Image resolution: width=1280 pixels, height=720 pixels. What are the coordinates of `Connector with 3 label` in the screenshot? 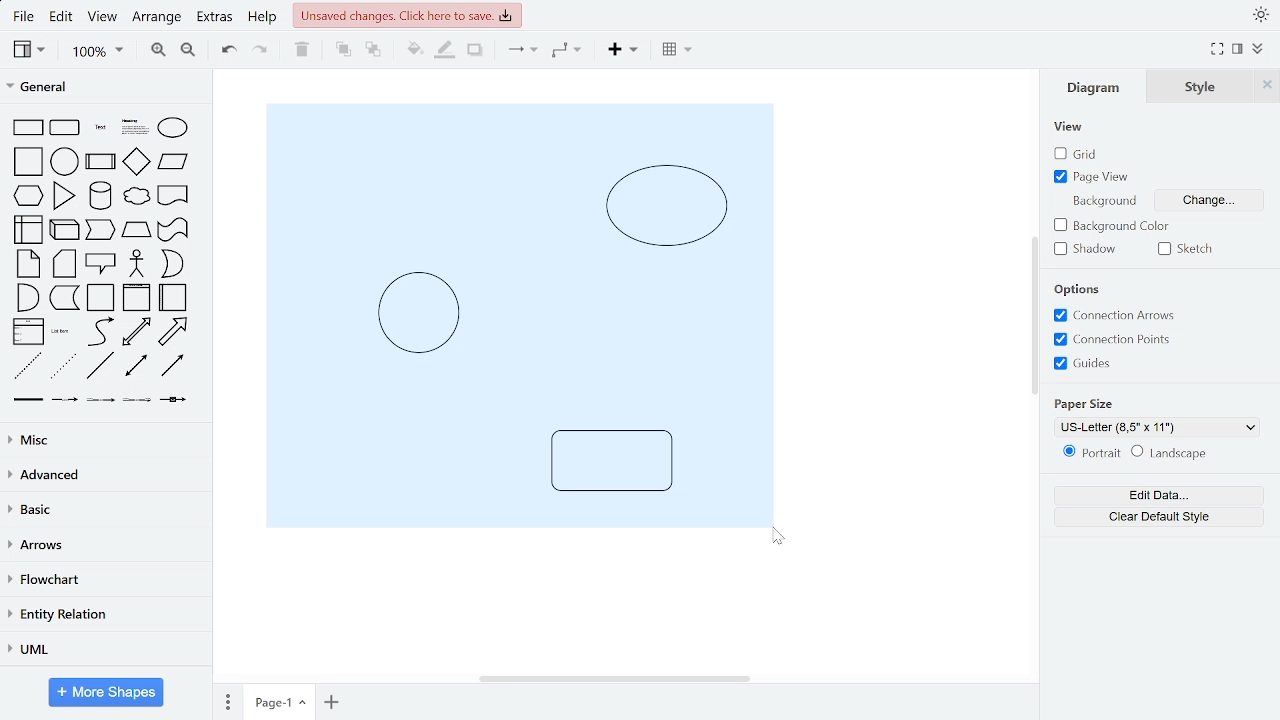 It's located at (136, 404).